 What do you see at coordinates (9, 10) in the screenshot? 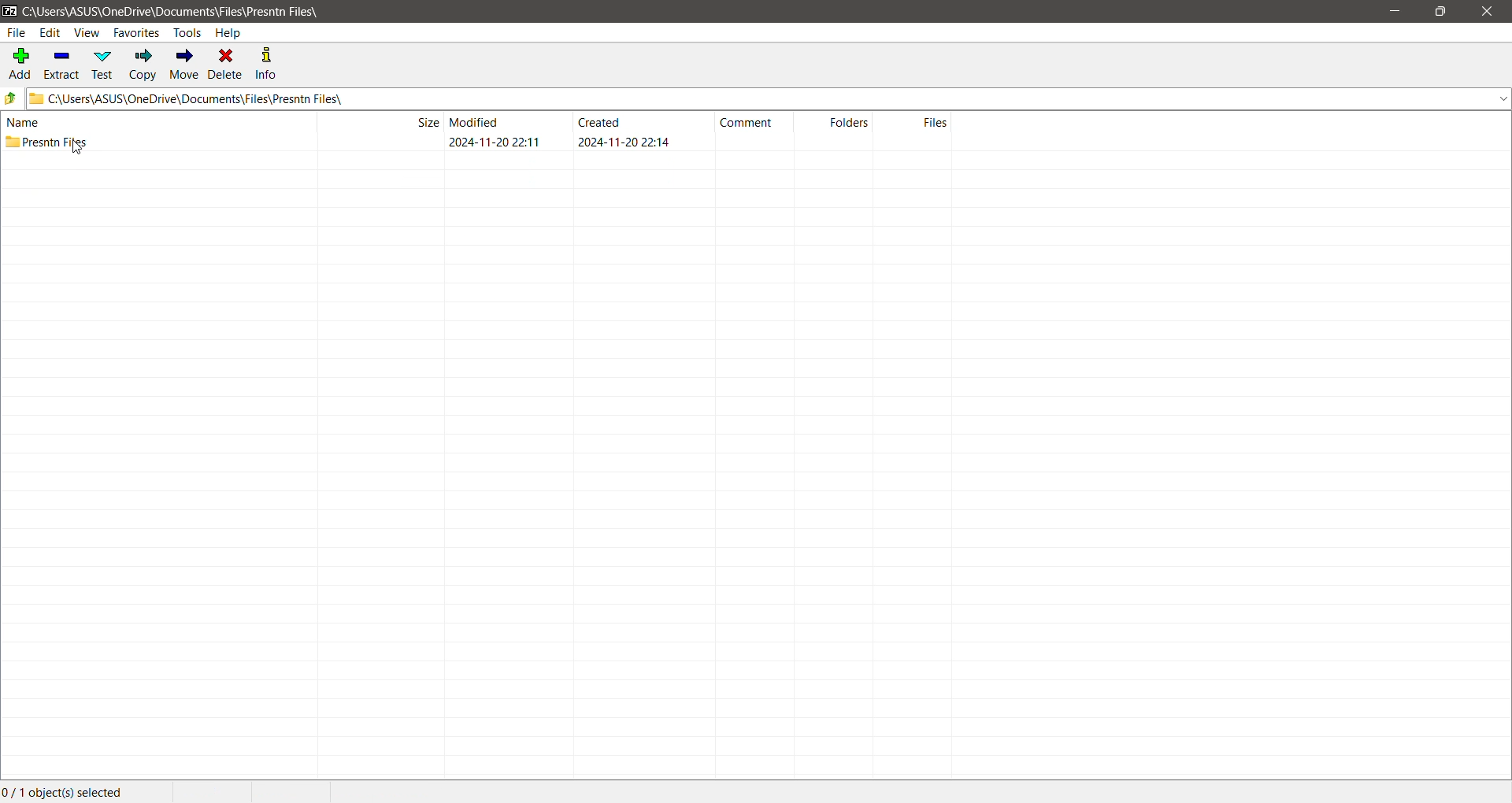
I see `Application Logo` at bounding box center [9, 10].